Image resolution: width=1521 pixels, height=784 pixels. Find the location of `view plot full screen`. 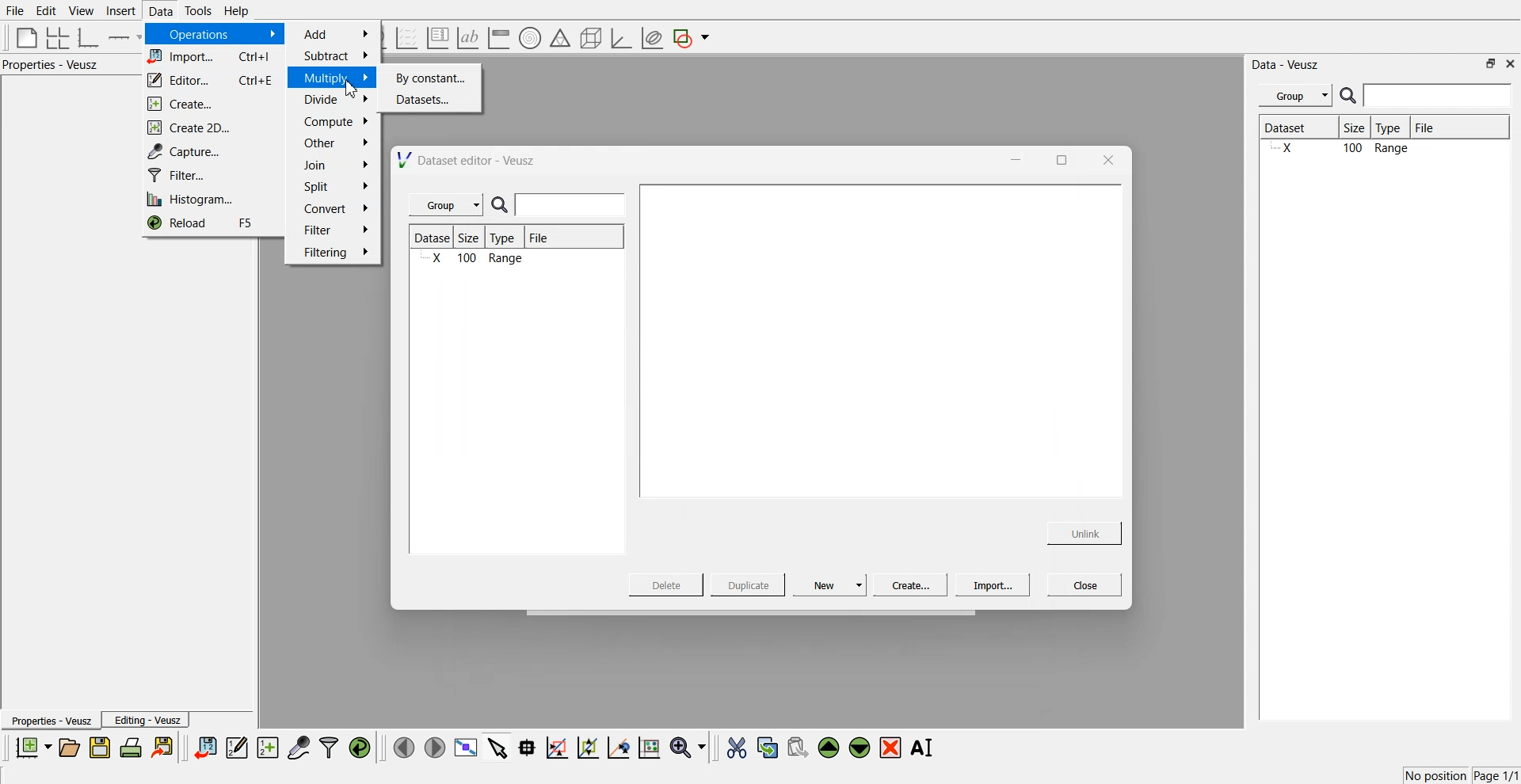

view plot full screen is located at coordinates (465, 748).